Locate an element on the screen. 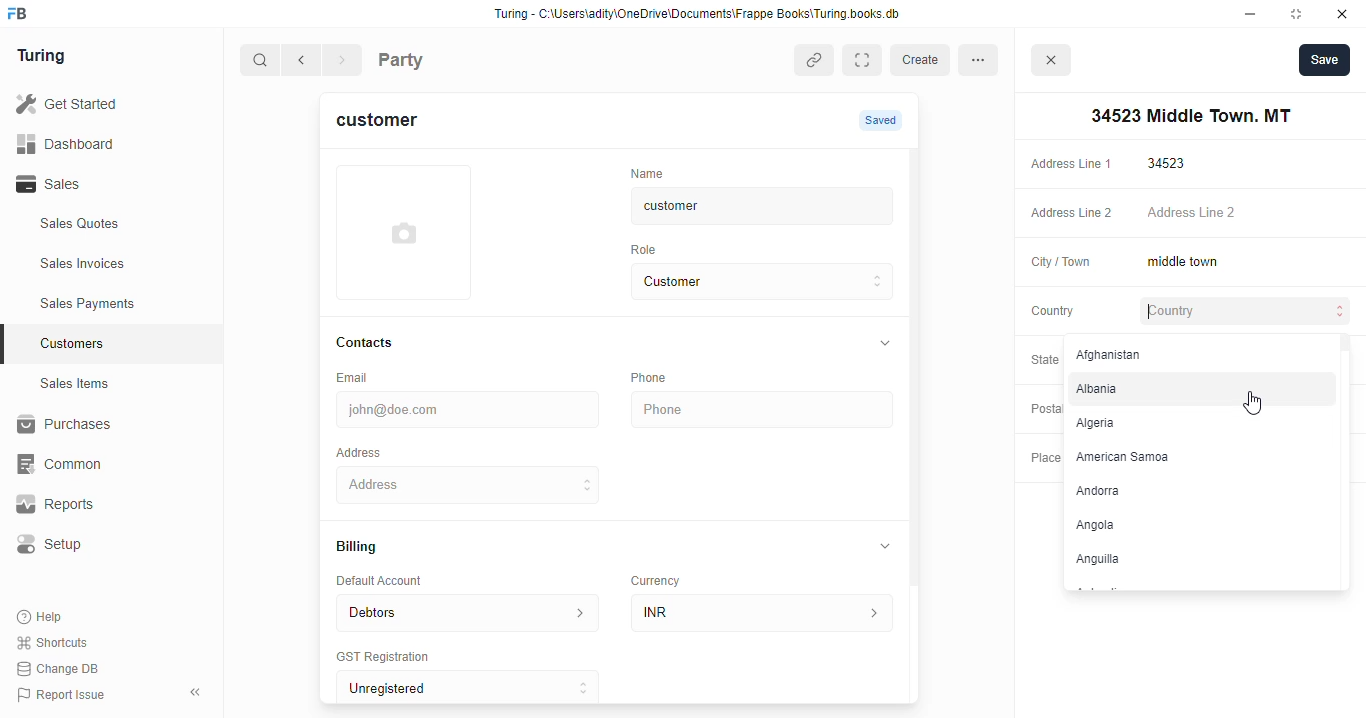 This screenshot has height=718, width=1366. Setup is located at coordinates (101, 544).